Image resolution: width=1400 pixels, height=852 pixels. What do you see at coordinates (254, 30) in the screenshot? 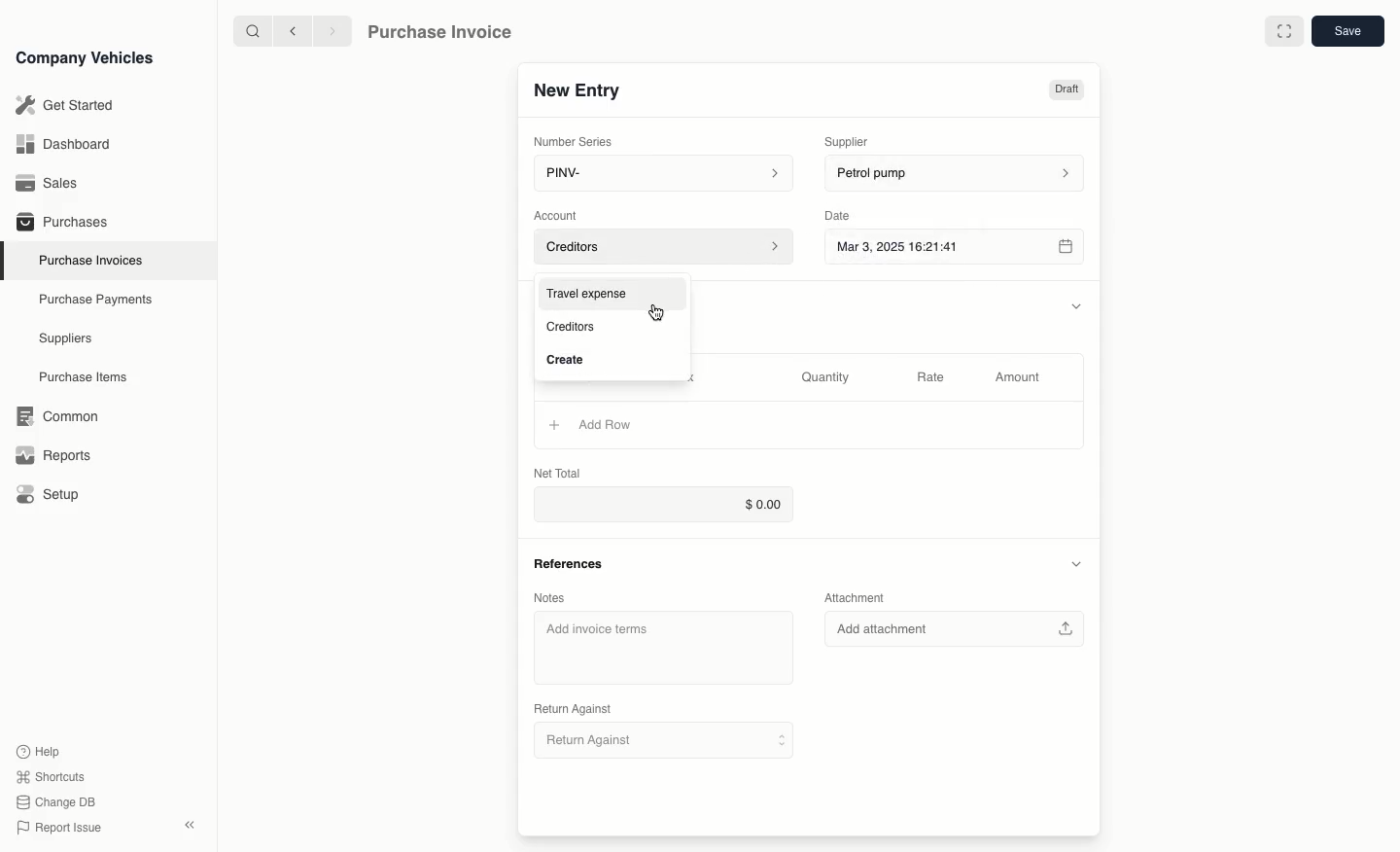
I see `search` at bounding box center [254, 30].